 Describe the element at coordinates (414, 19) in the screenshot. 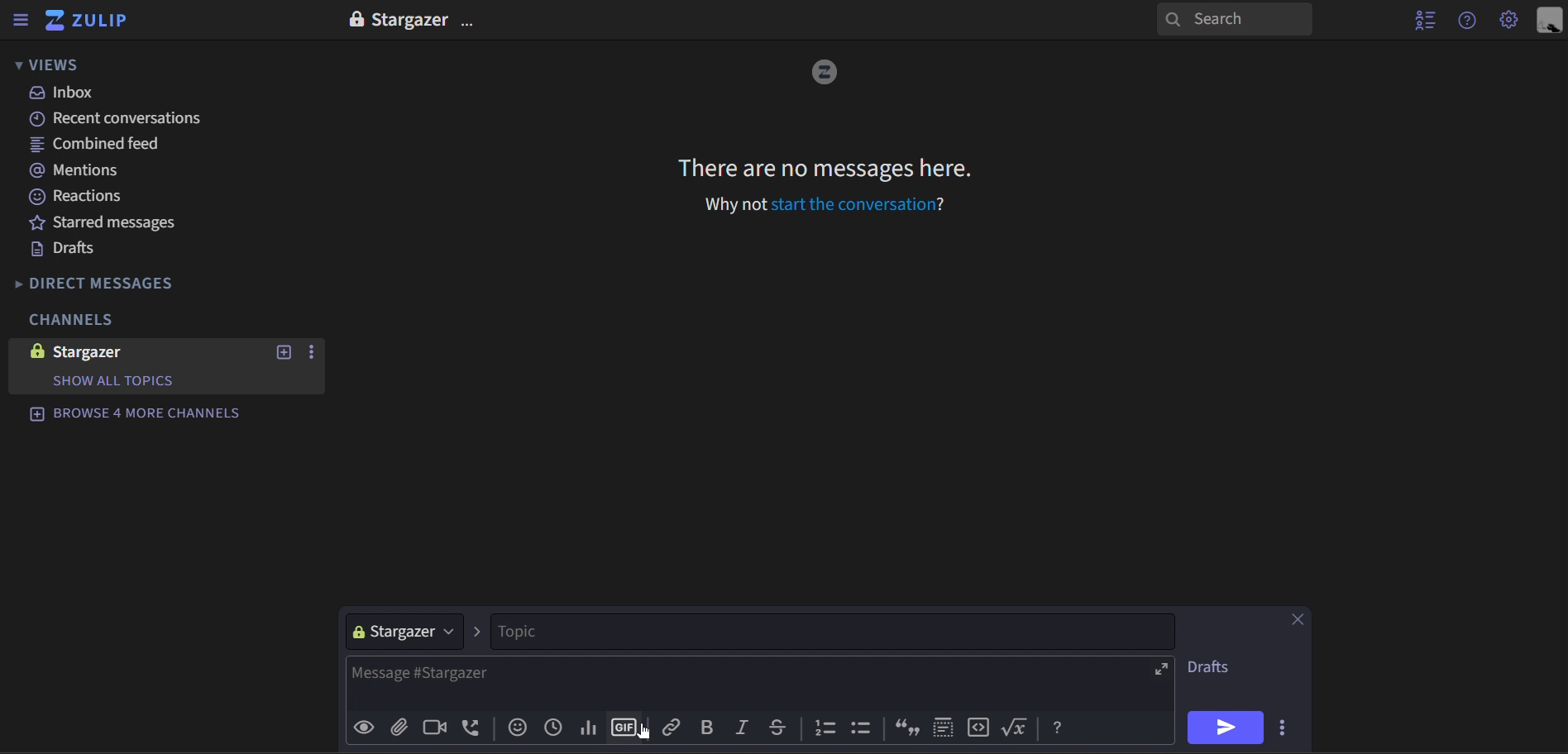

I see `Stargazer` at that location.